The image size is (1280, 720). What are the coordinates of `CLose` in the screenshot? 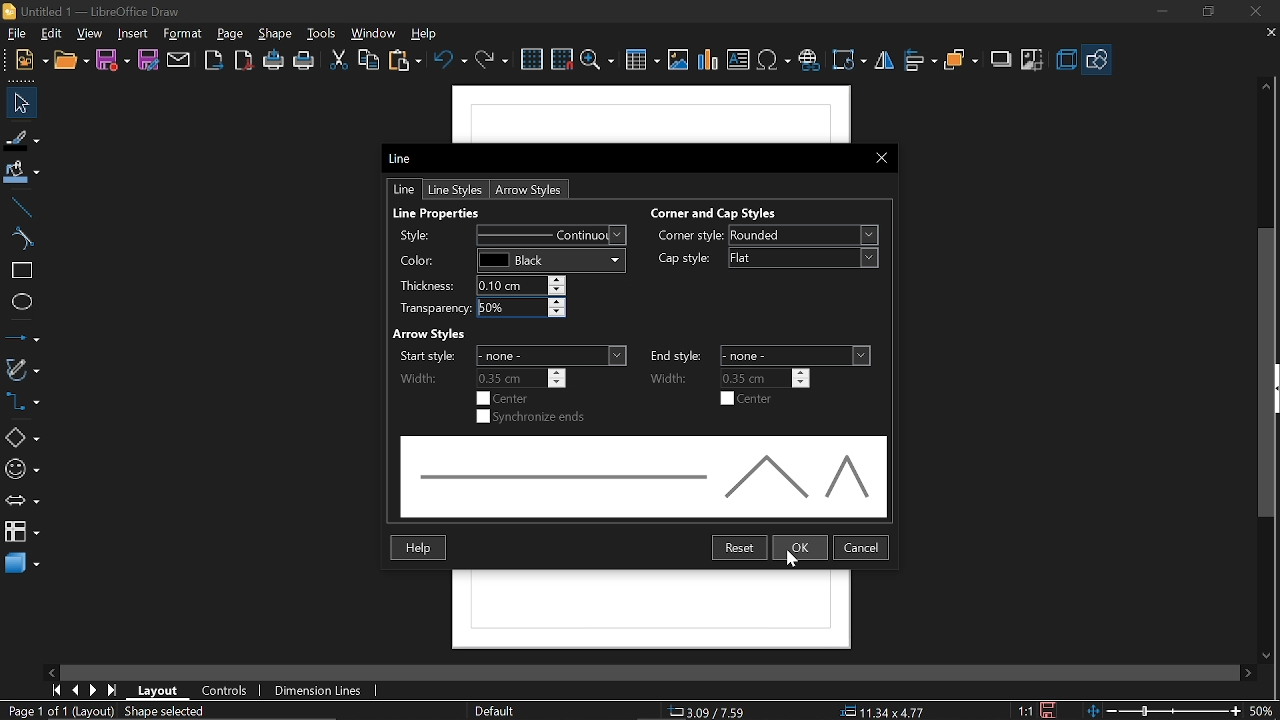 It's located at (879, 159).